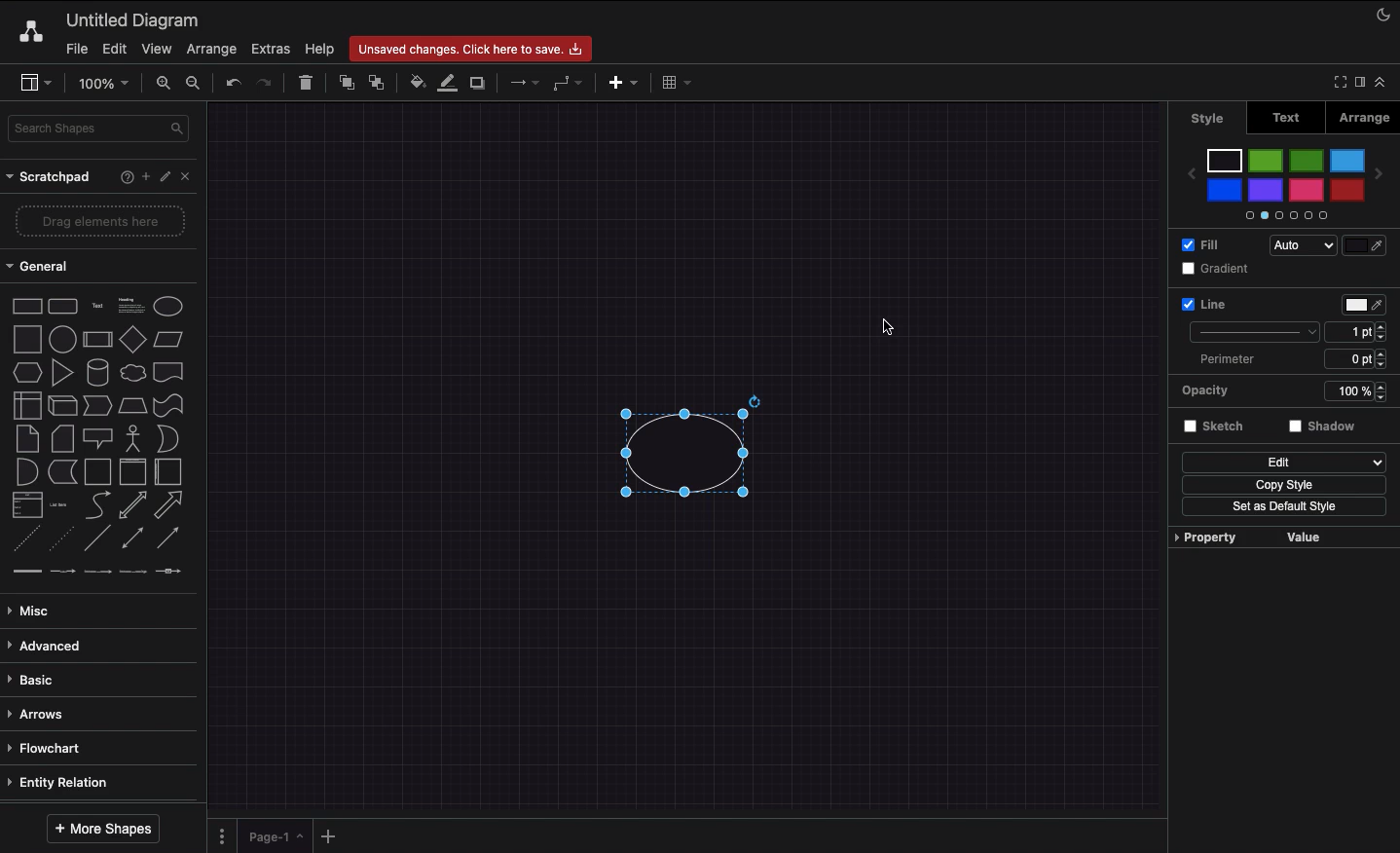 Image resolution: width=1400 pixels, height=853 pixels. Describe the element at coordinates (1286, 174) in the screenshot. I see `Color palette` at that location.